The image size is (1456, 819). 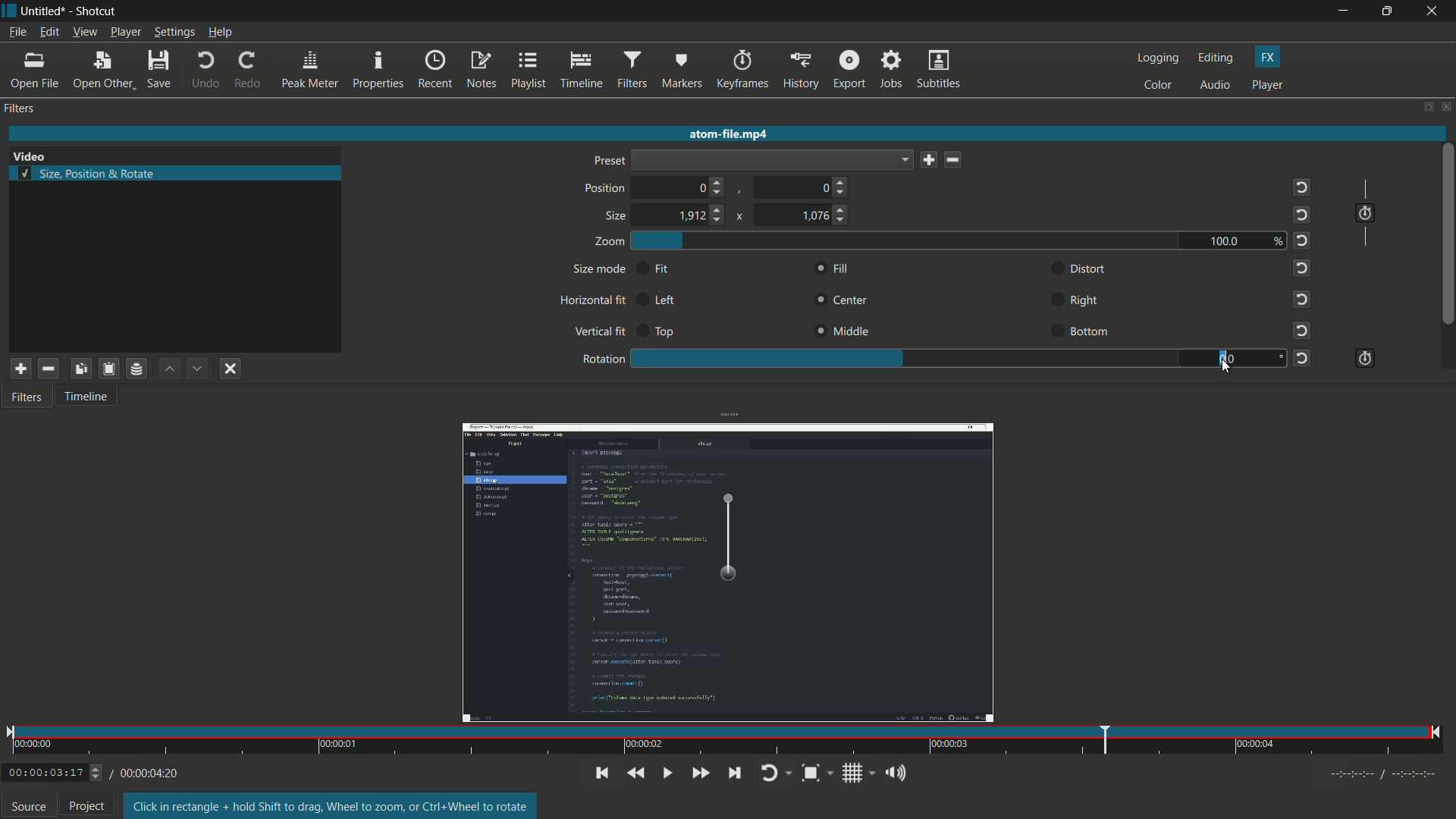 What do you see at coordinates (890, 71) in the screenshot?
I see `jobs` at bounding box center [890, 71].